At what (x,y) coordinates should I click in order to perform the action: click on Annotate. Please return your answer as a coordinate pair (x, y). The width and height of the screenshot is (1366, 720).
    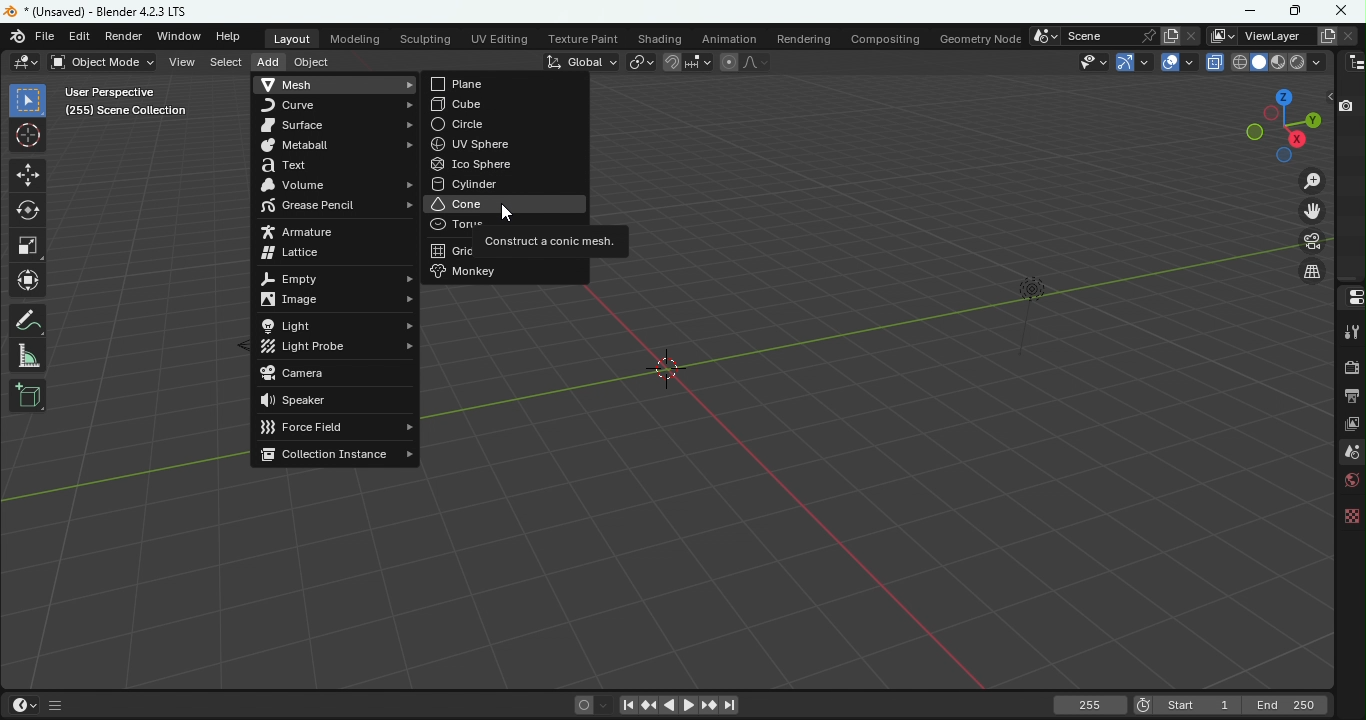
    Looking at the image, I should click on (30, 319).